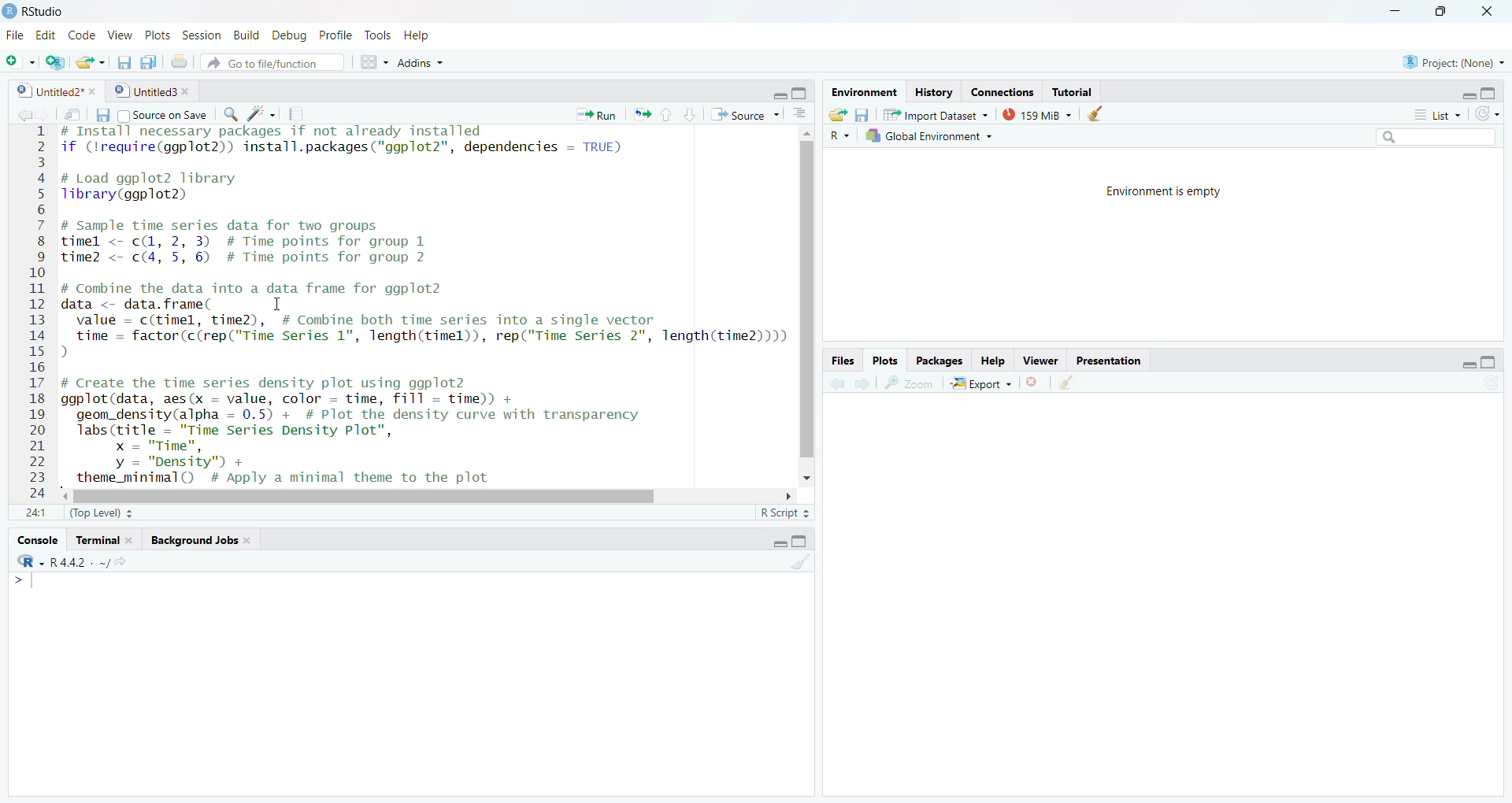  I want to click on Import Dataset , so click(935, 113).